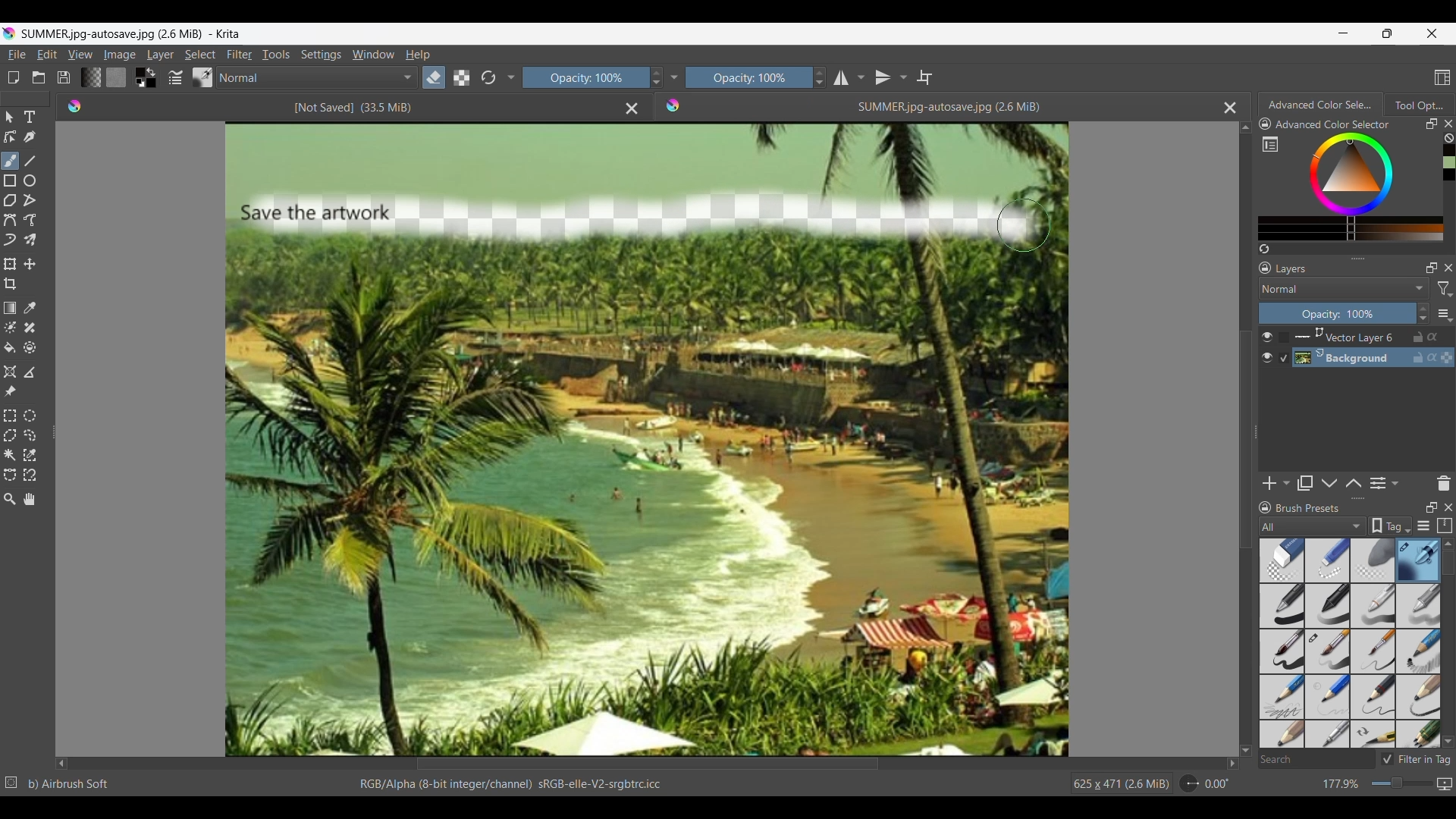  Describe the element at coordinates (820, 77) in the screenshot. I see `Increase/Decrease opacity` at that location.